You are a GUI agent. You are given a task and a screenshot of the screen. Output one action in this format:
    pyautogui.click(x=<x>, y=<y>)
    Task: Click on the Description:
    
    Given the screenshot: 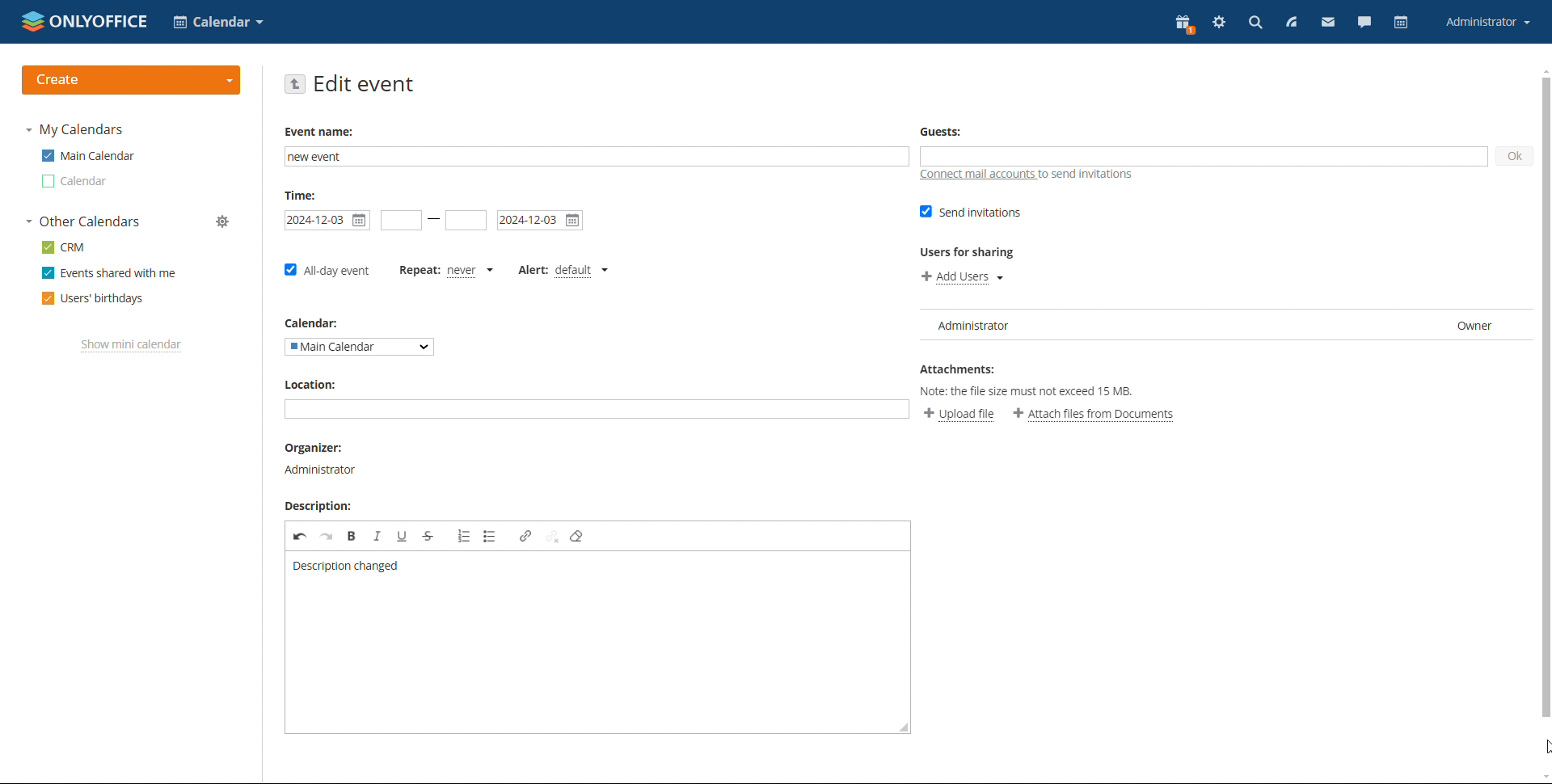 What is the action you would take?
    pyautogui.click(x=316, y=506)
    